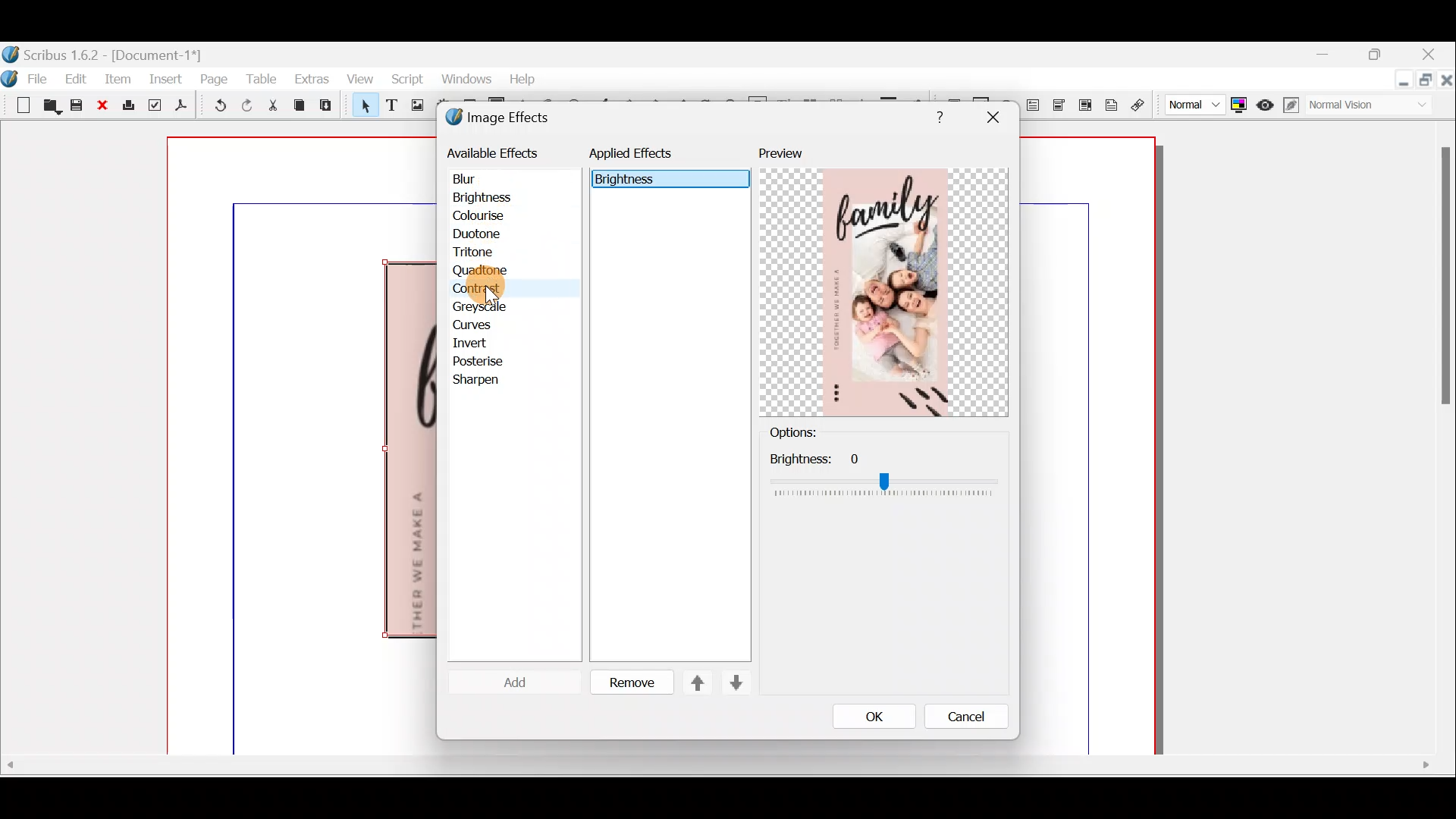 The height and width of the screenshot is (819, 1456). What do you see at coordinates (462, 80) in the screenshot?
I see `Windows` at bounding box center [462, 80].